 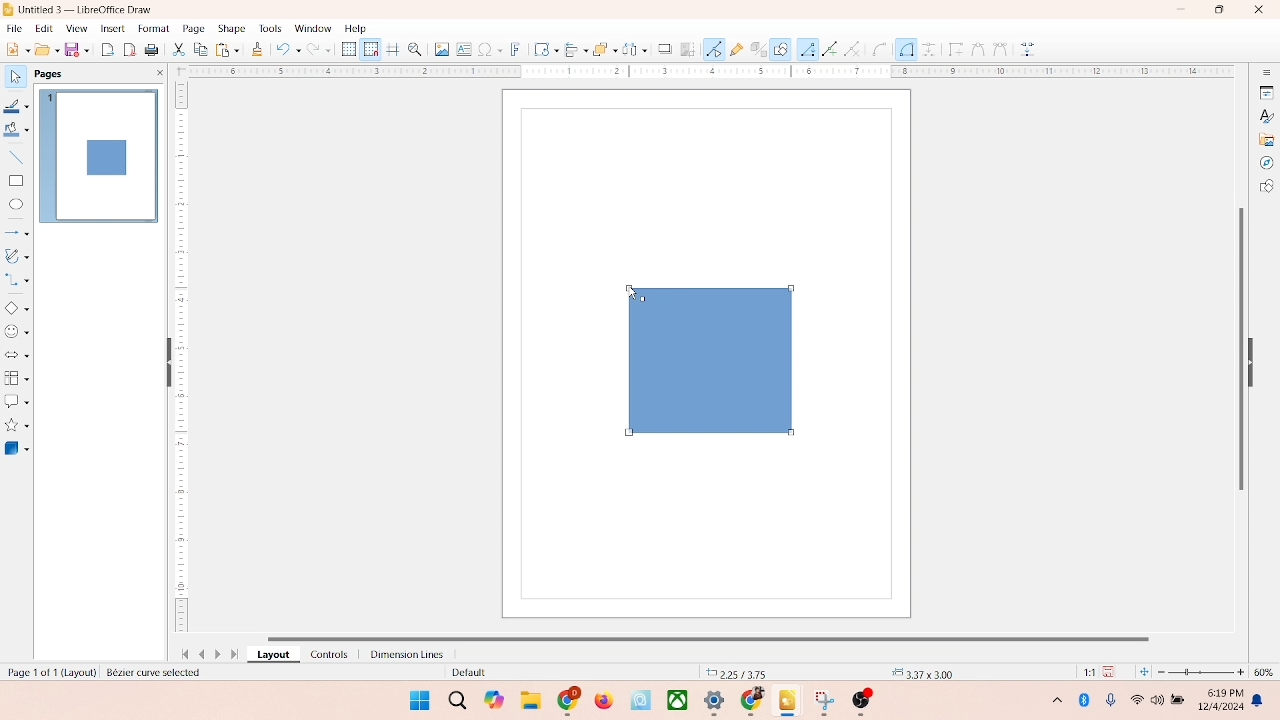 I want to click on Bluetooth, so click(x=1088, y=700).